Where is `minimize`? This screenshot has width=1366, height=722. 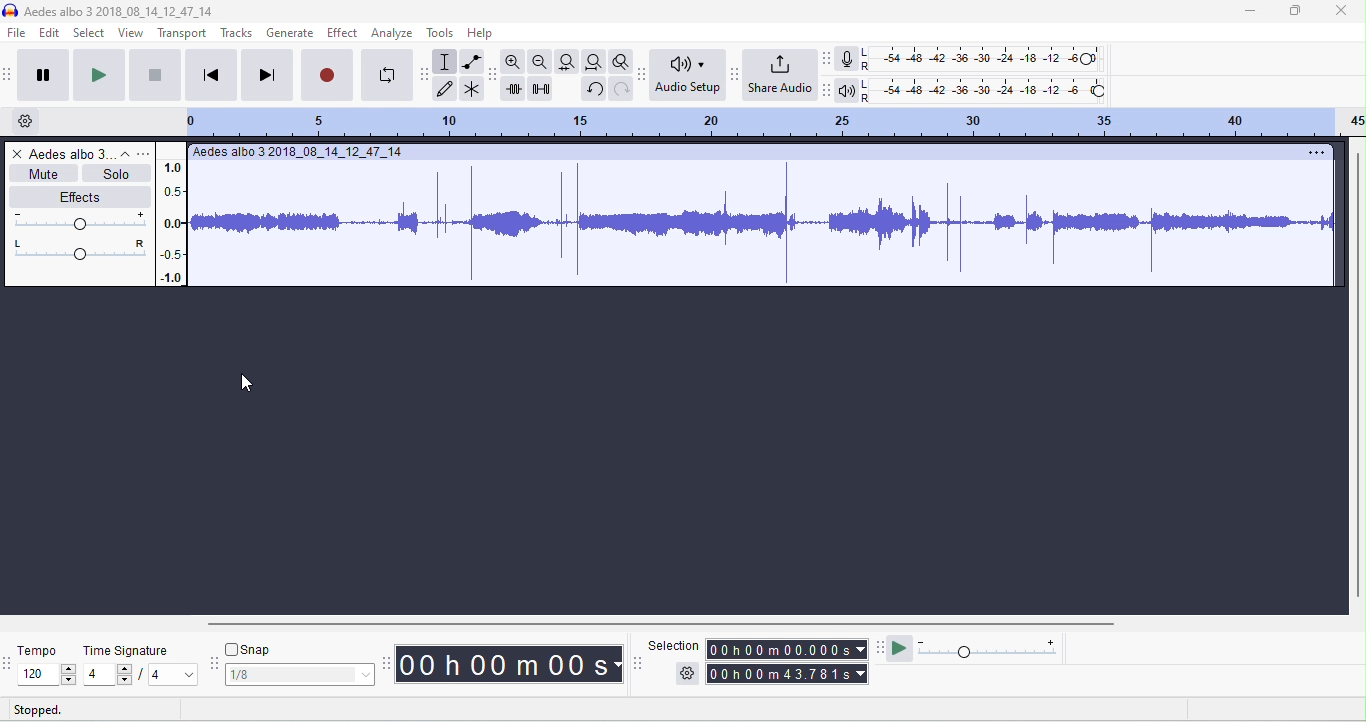 minimize is located at coordinates (1249, 11).